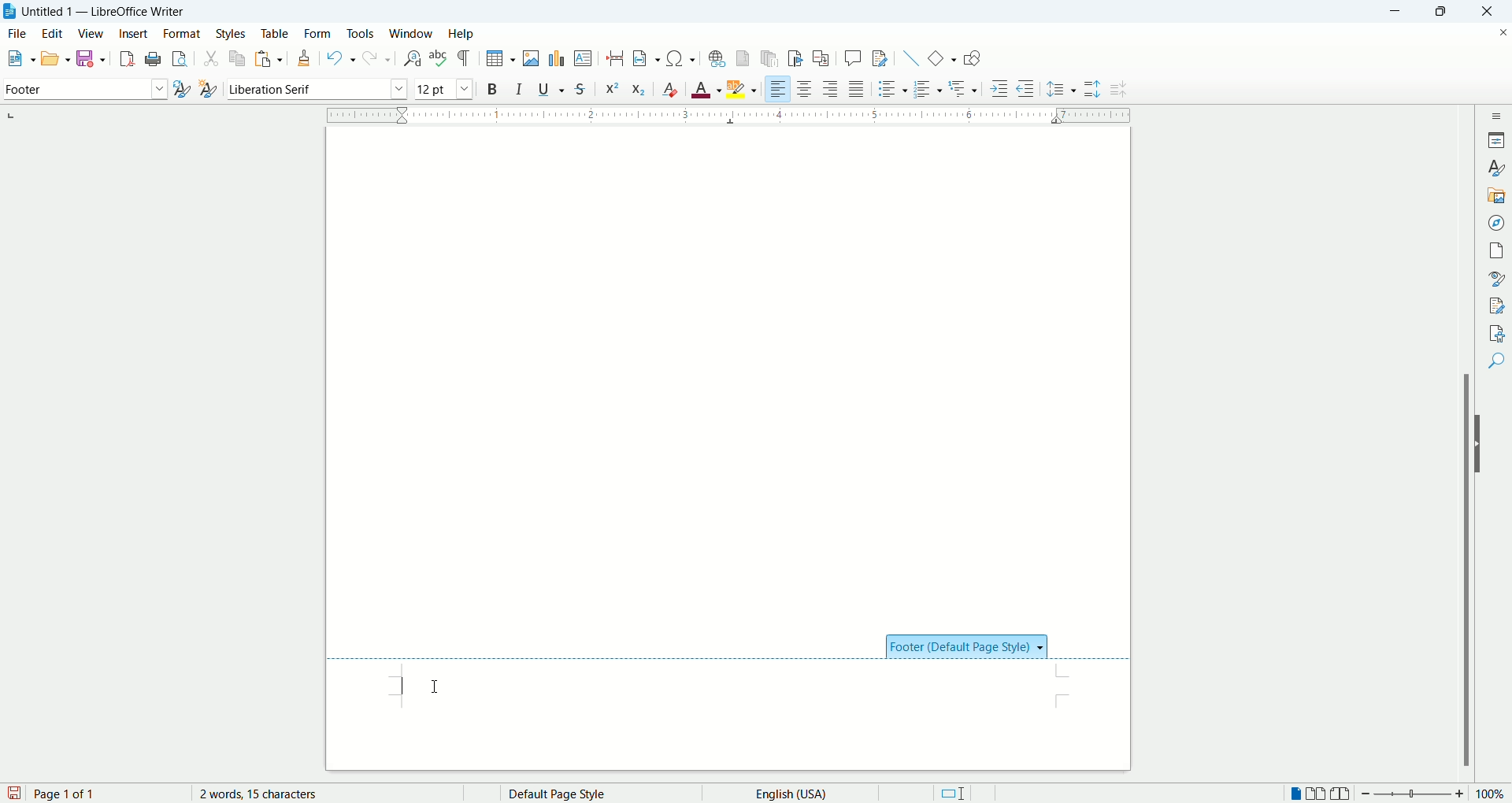 This screenshot has height=803, width=1512. I want to click on word count, so click(272, 794).